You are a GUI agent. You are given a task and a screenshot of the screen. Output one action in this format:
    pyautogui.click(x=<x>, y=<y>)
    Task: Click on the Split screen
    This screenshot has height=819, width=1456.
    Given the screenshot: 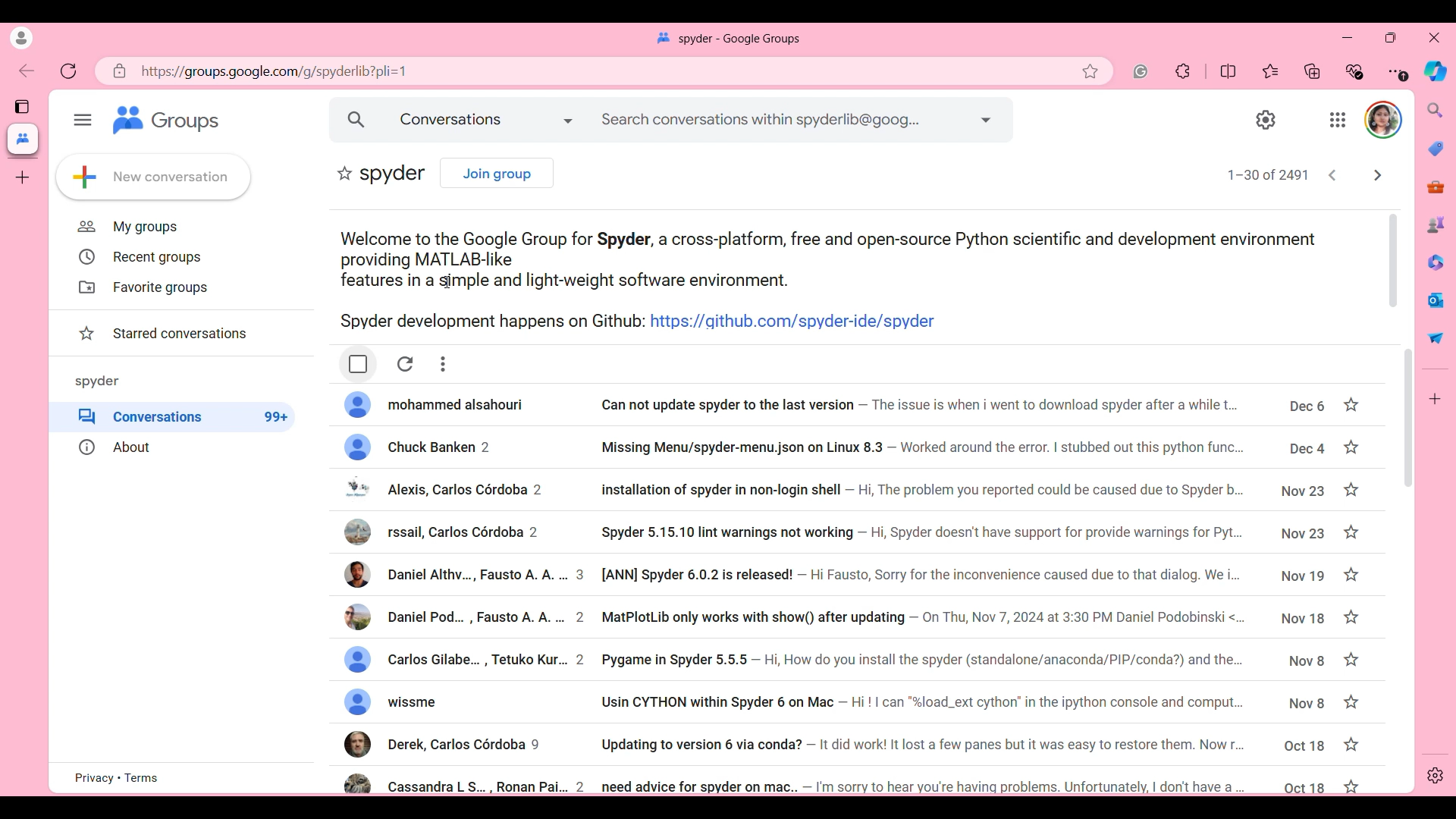 What is the action you would take?
    pyautogui.click(x=1228, y=71)
    